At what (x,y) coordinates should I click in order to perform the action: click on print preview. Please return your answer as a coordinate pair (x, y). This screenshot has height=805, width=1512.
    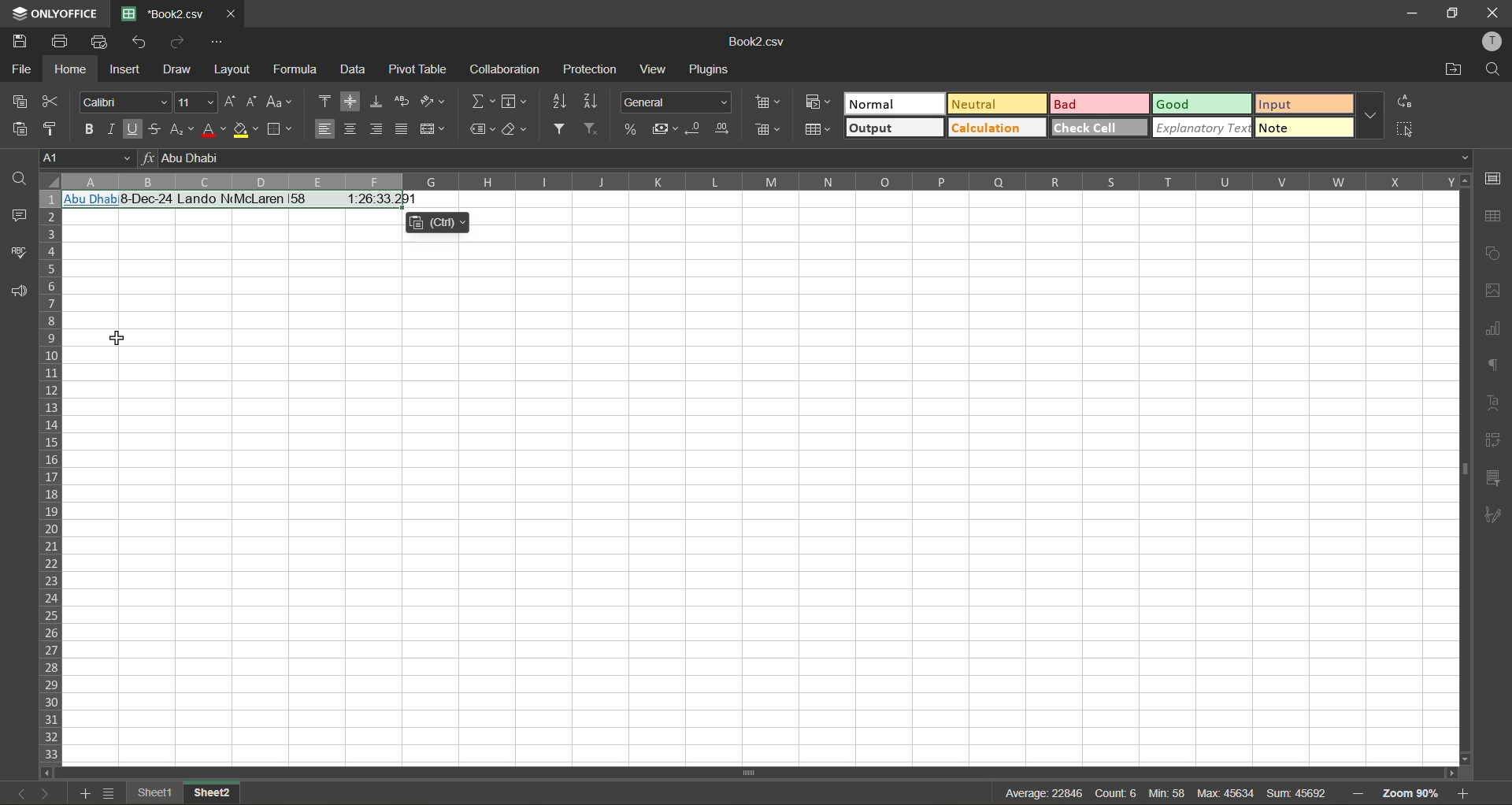
    Looking at the image, I should click on (102, 42).